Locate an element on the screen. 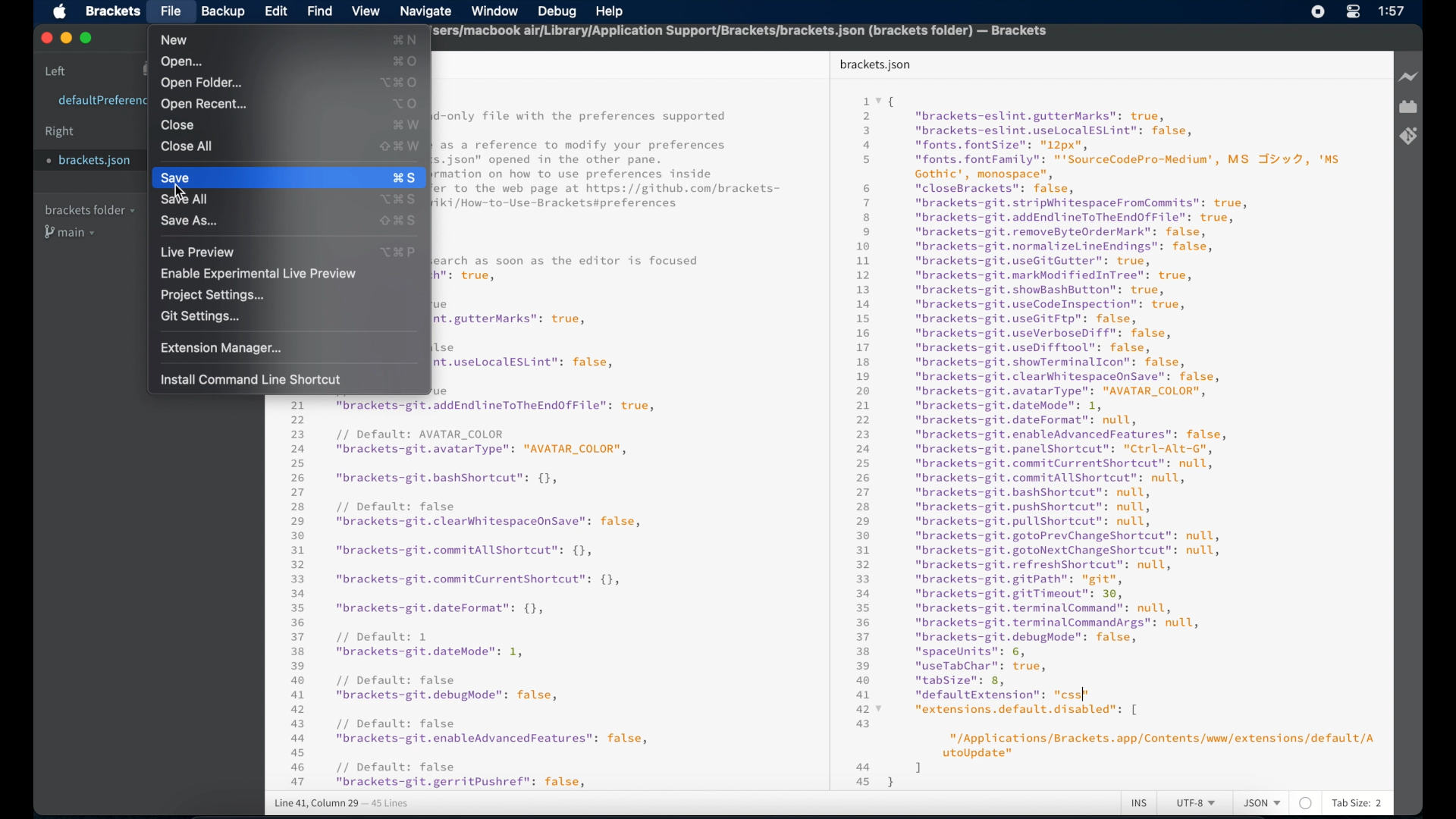  navigate is located at coordinates (422, 10).